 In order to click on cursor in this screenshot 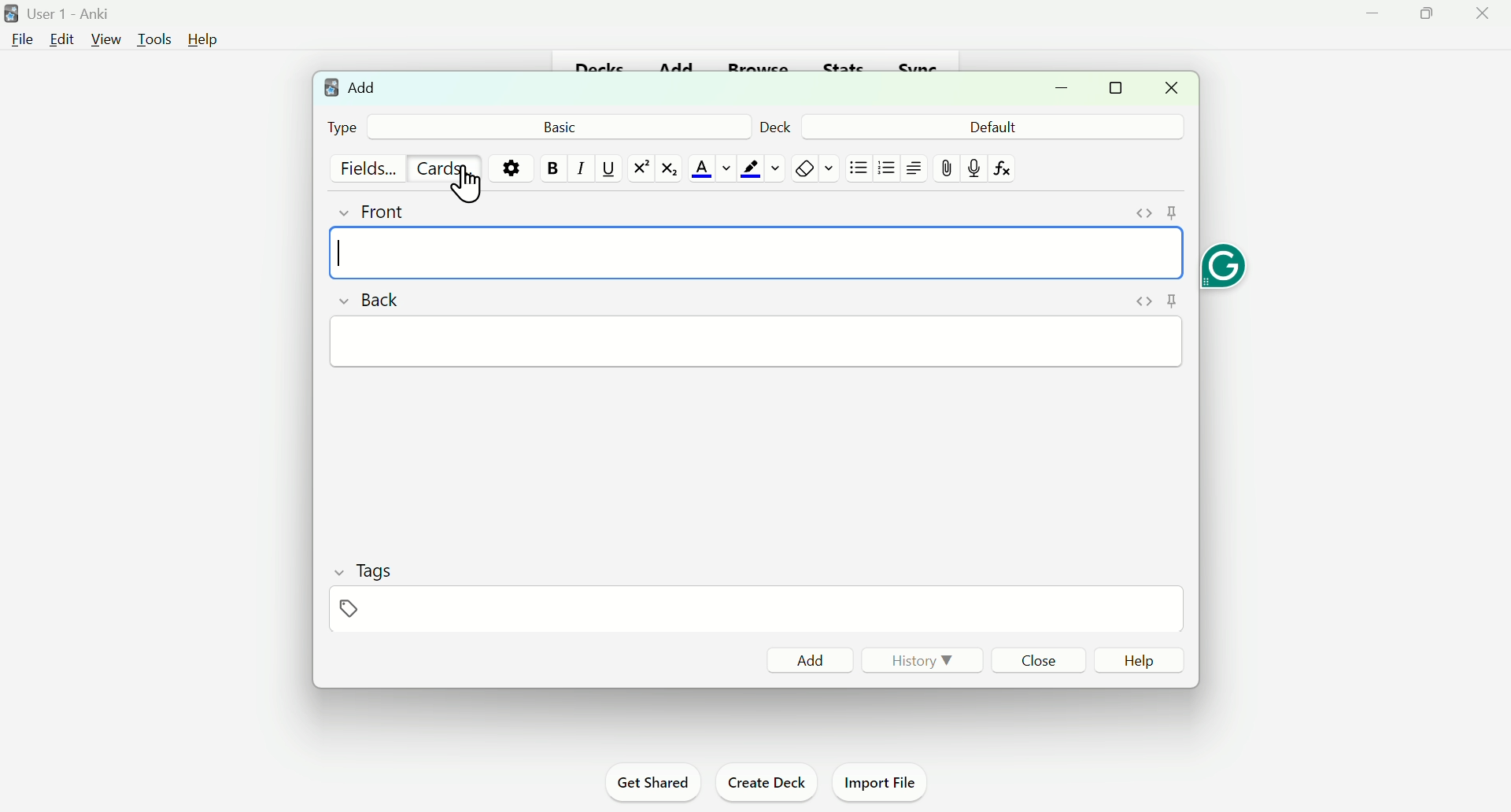, I will do `click(467, 186)`.